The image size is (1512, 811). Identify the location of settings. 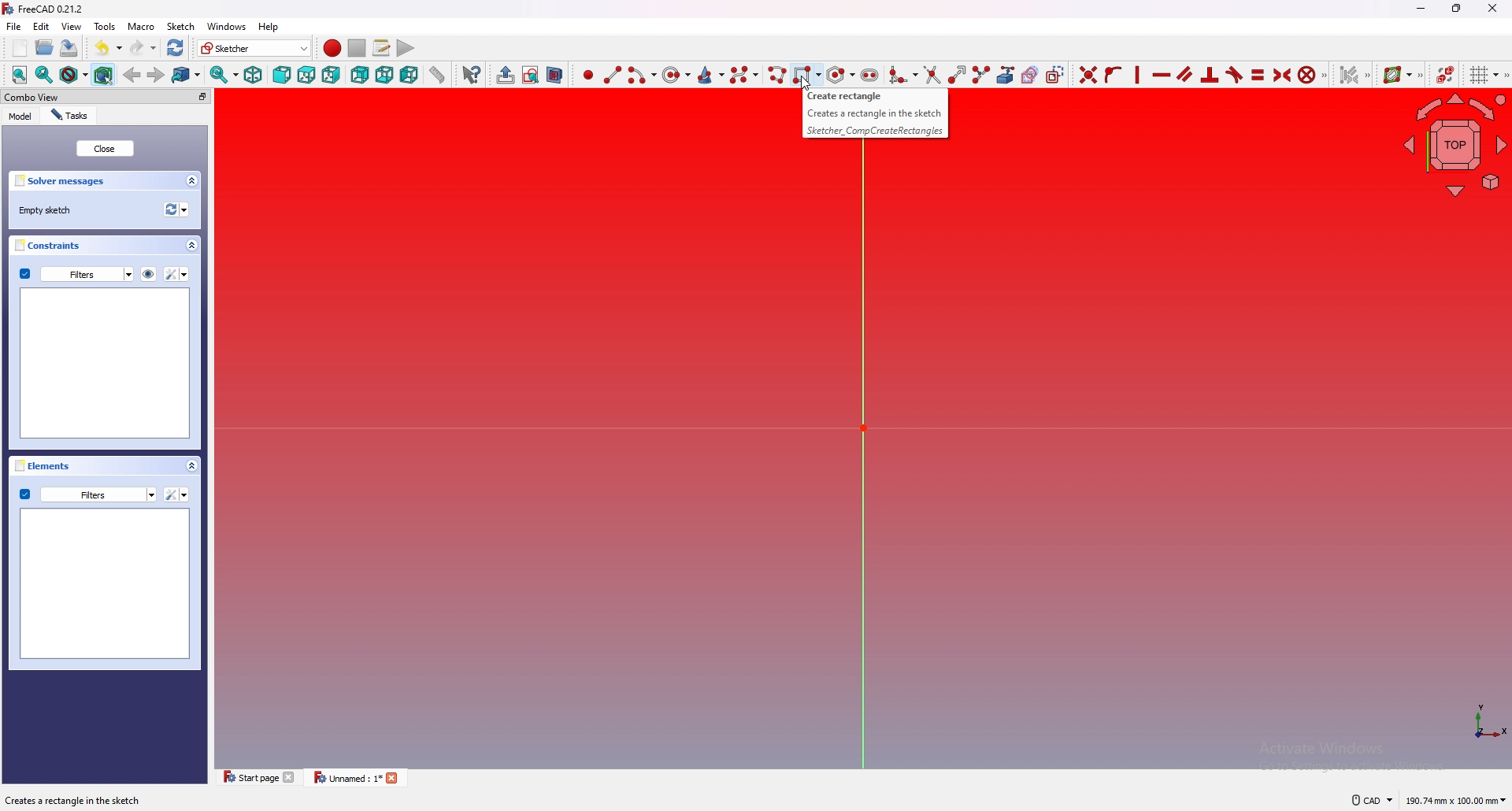
(175, 494).